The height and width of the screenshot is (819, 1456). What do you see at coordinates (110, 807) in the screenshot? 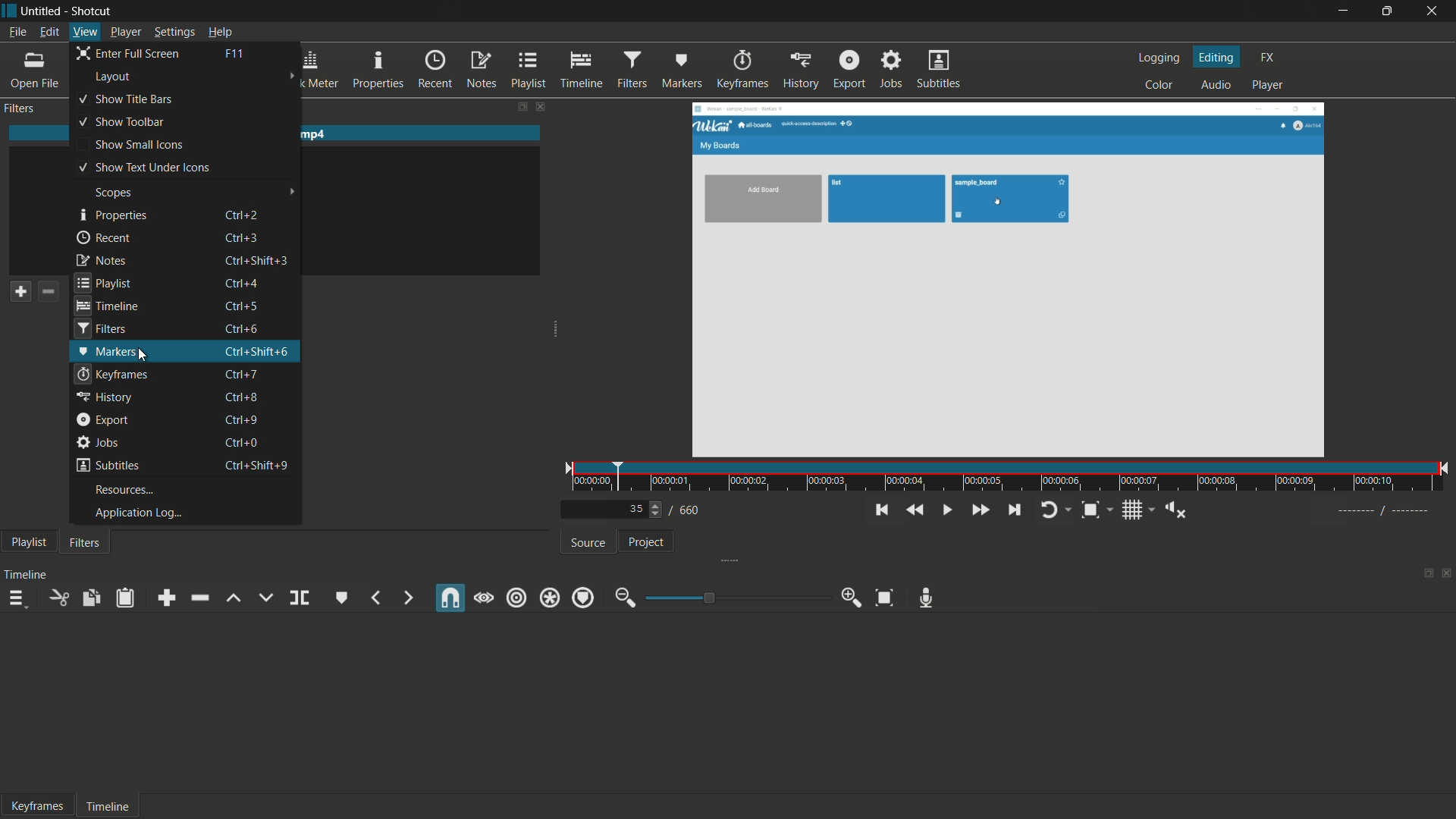
I see `timeline` at bounding box center [110, 807].